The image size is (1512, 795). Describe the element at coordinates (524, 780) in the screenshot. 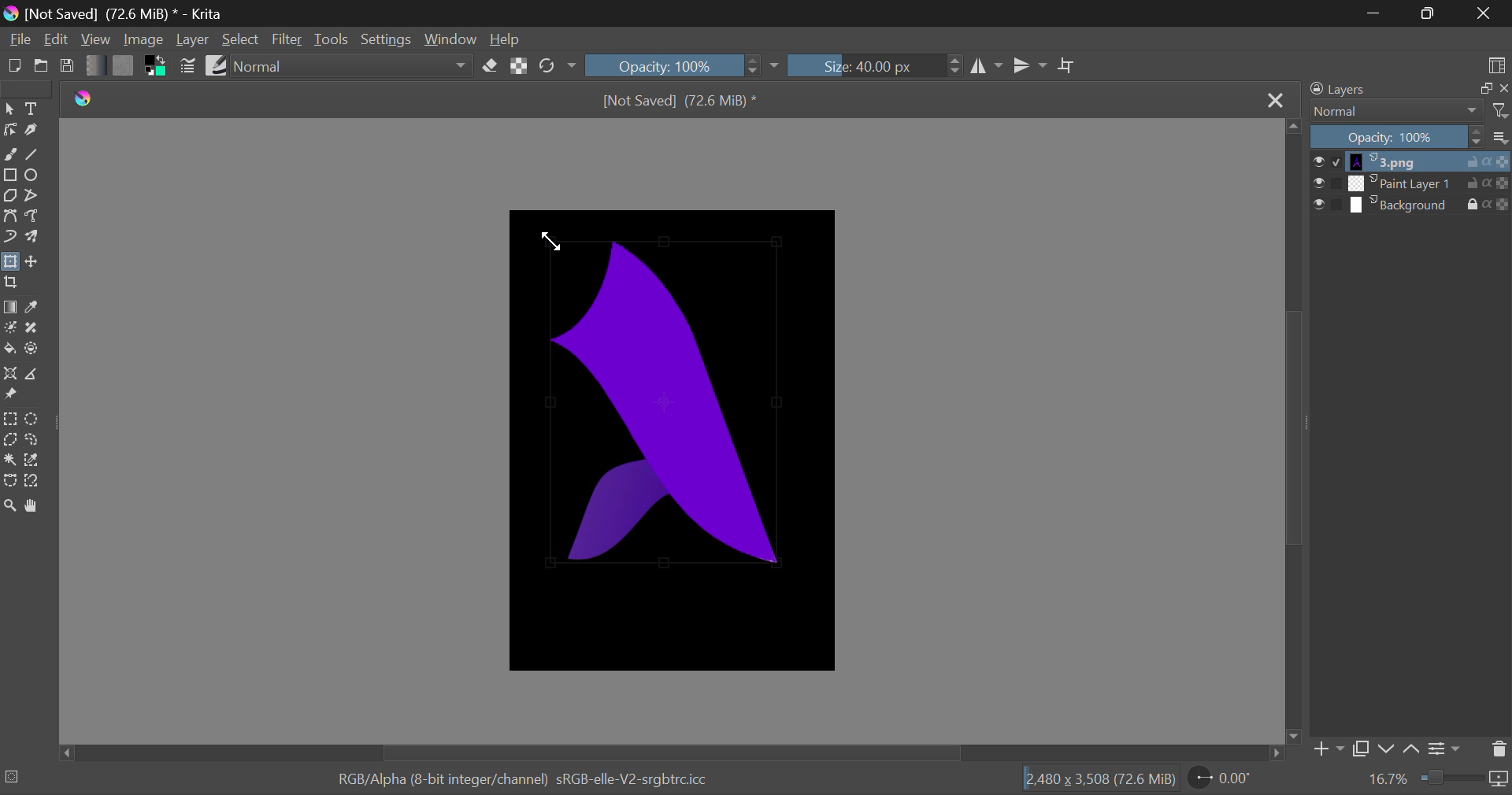

I see `RGB/Alpha (8-bit integer/channel) sRGB-elle-V2-srgbtrcicc` at that location.